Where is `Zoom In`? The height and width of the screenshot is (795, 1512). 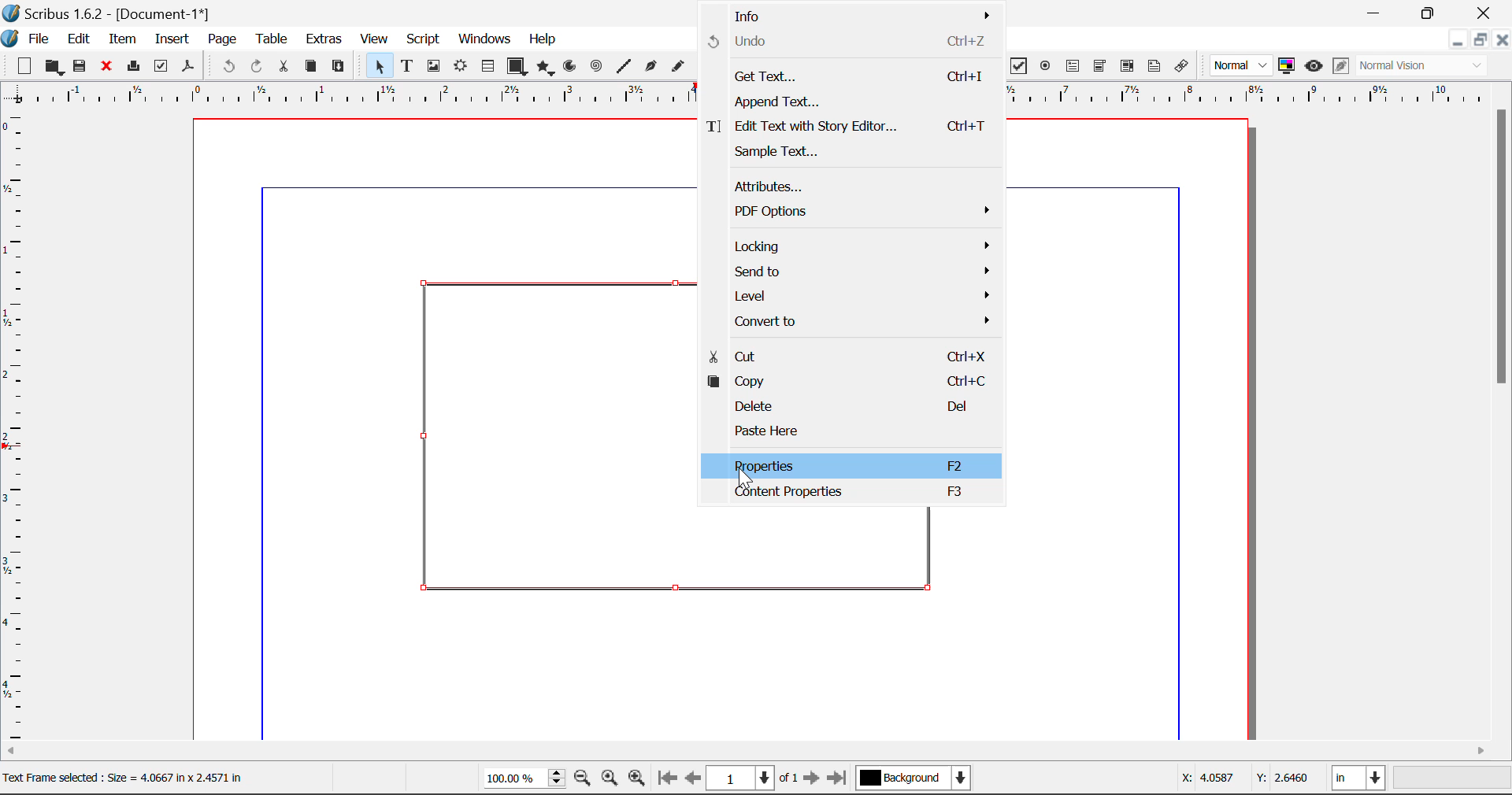 Zoom In is located at coordinates (637, 780).